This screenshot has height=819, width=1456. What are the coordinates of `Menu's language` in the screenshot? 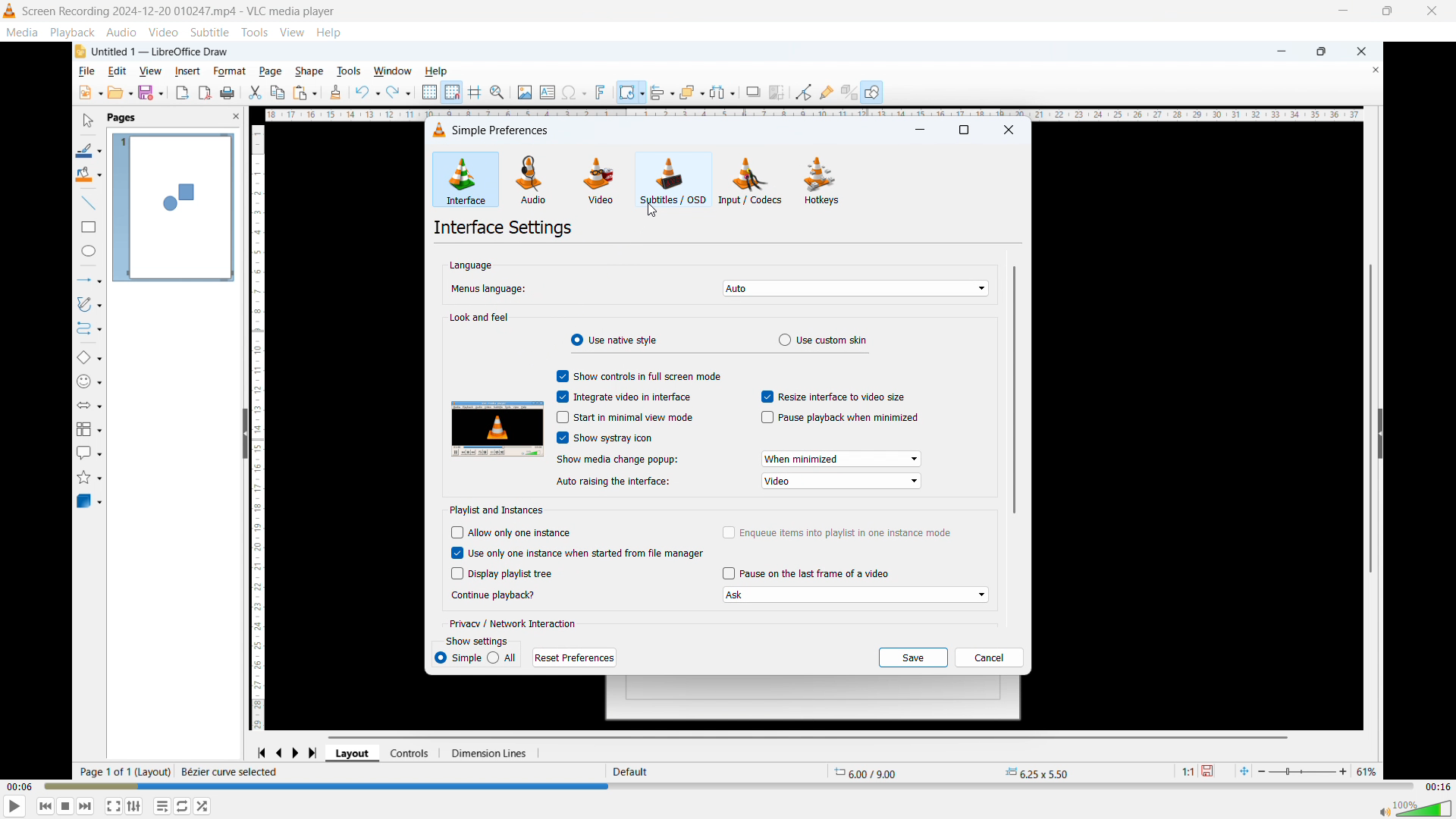 It's located at (487, 290).